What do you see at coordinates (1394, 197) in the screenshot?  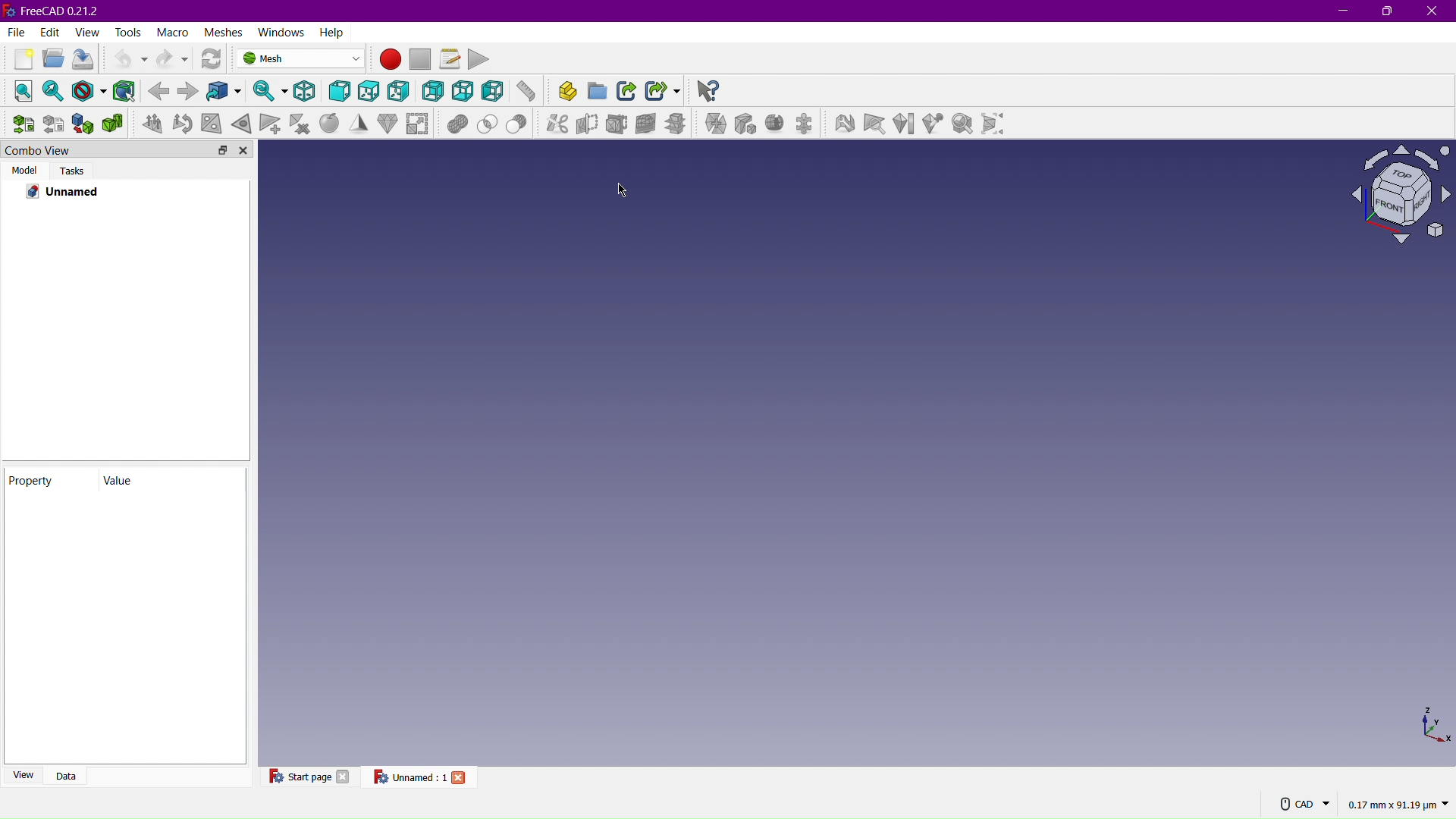 I see `Isometric` at bounding box center [1394, 197].